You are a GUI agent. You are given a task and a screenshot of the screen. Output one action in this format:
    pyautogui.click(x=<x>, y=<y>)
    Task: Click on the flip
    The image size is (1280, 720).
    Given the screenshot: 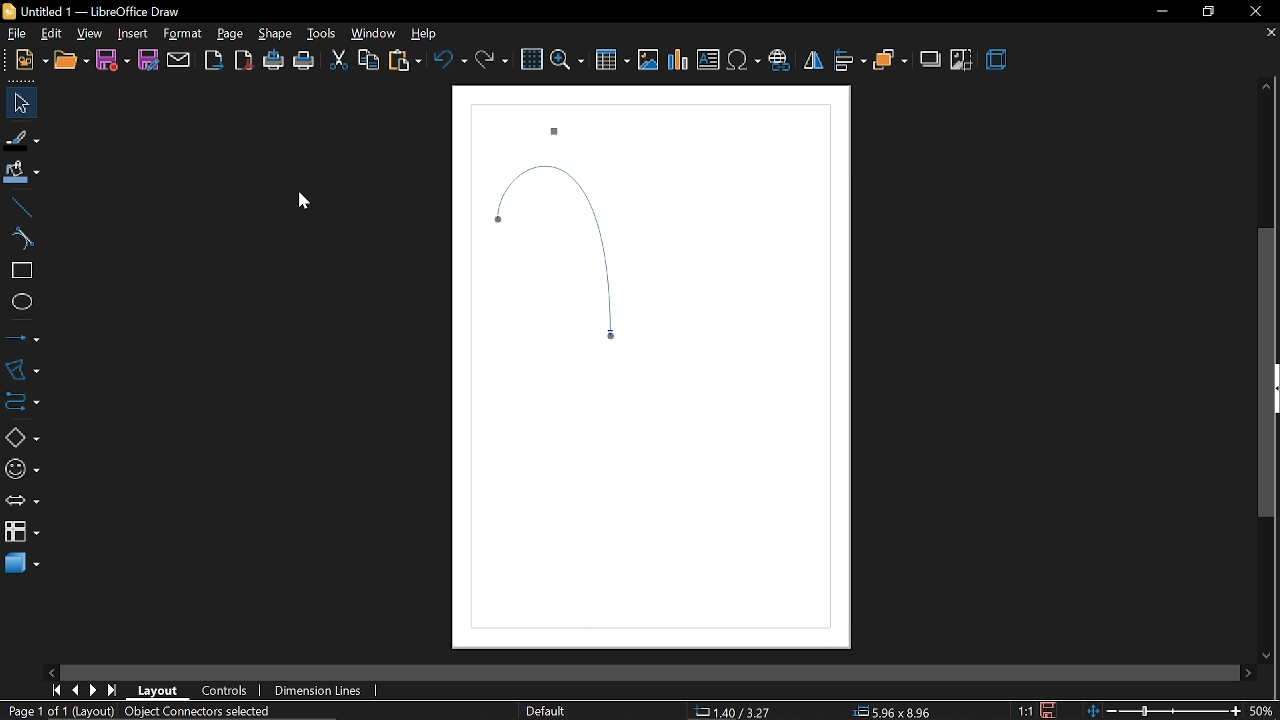 What is the action you would take?
    pyautogui.click(x=812, y=61)
    